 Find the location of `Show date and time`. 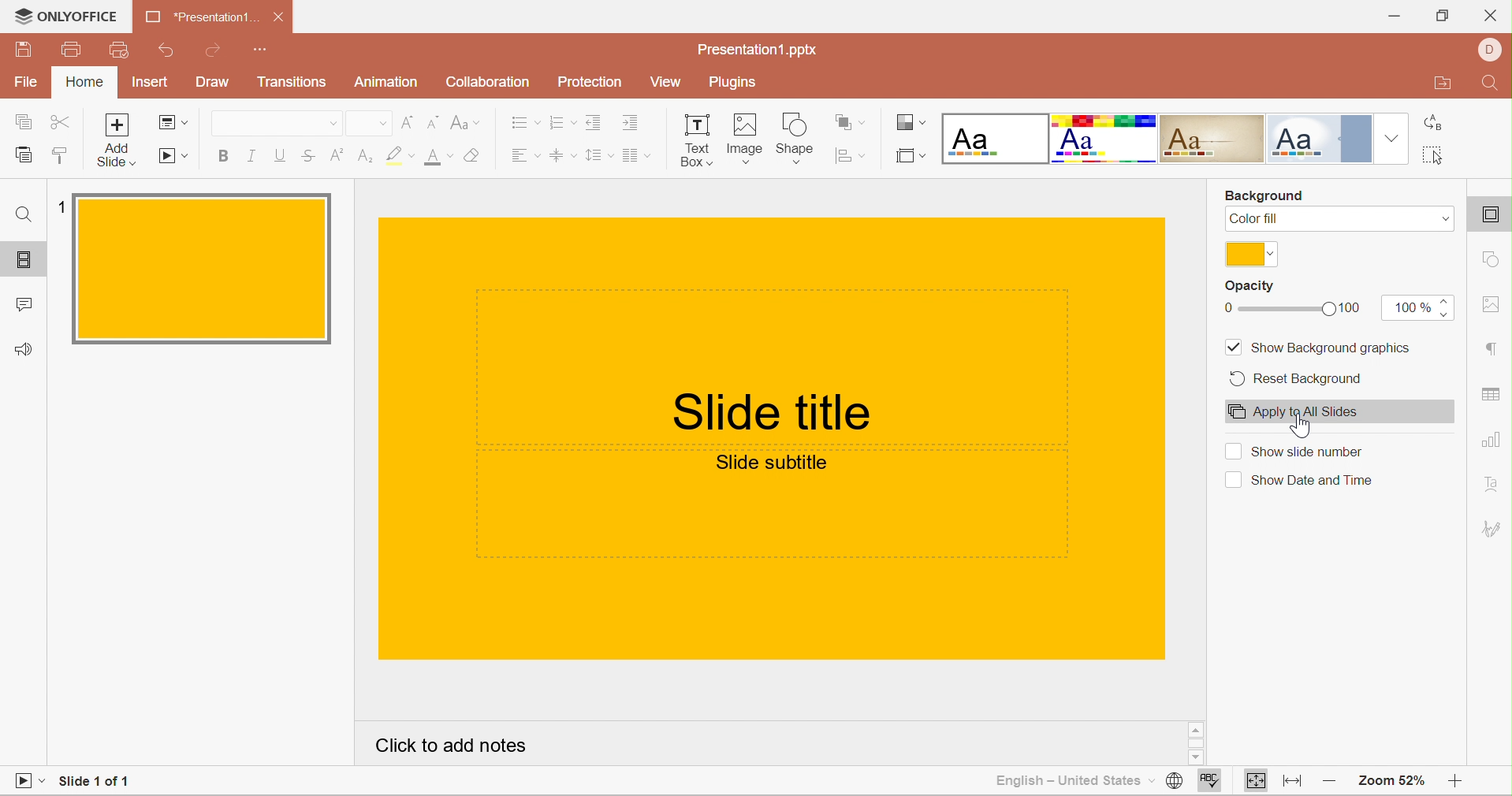

Show date and time is located at coordinates (1298, 481).